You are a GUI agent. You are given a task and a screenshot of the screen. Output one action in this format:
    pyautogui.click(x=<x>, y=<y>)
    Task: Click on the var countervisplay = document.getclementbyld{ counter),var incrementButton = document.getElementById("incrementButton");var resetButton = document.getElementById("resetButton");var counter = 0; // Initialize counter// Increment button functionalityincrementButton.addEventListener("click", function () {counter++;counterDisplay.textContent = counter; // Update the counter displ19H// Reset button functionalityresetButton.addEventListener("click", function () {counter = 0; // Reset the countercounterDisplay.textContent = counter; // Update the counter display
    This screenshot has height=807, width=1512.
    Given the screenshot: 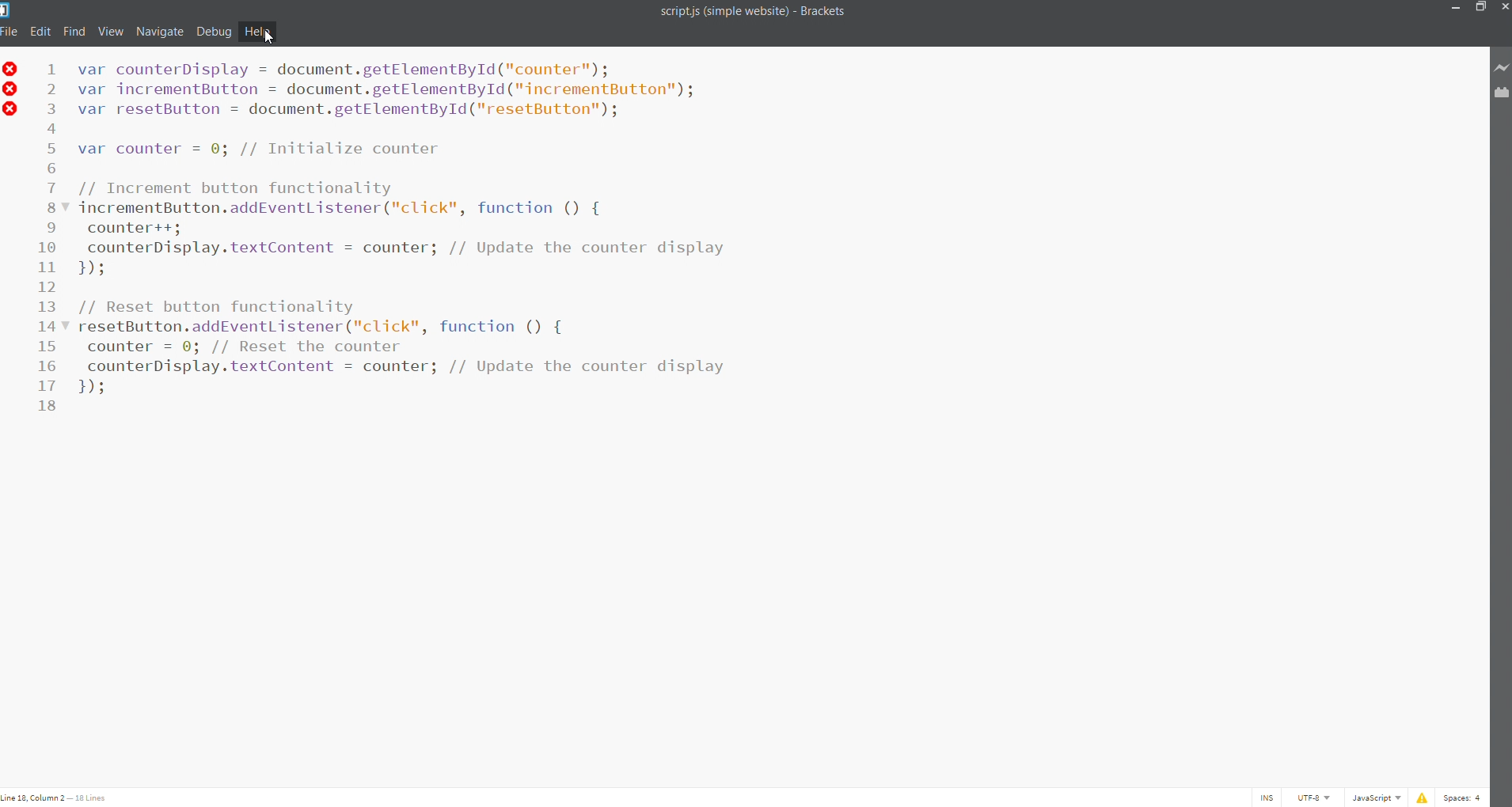 What is the action you would take?
    pyautogui.click(x=416, y=233)
    